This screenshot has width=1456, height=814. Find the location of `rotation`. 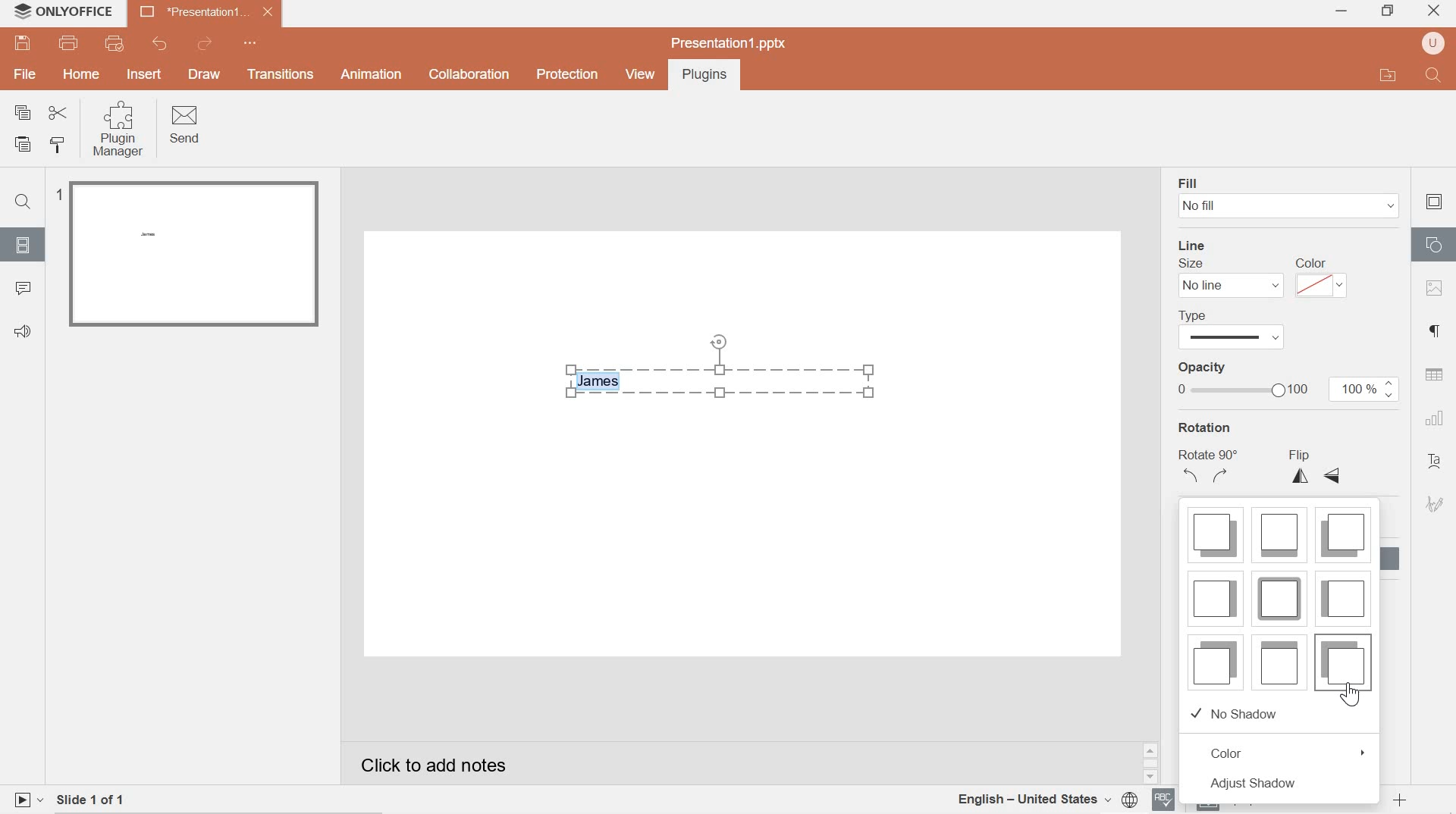

rotation is located at coordinates (1205, 426).